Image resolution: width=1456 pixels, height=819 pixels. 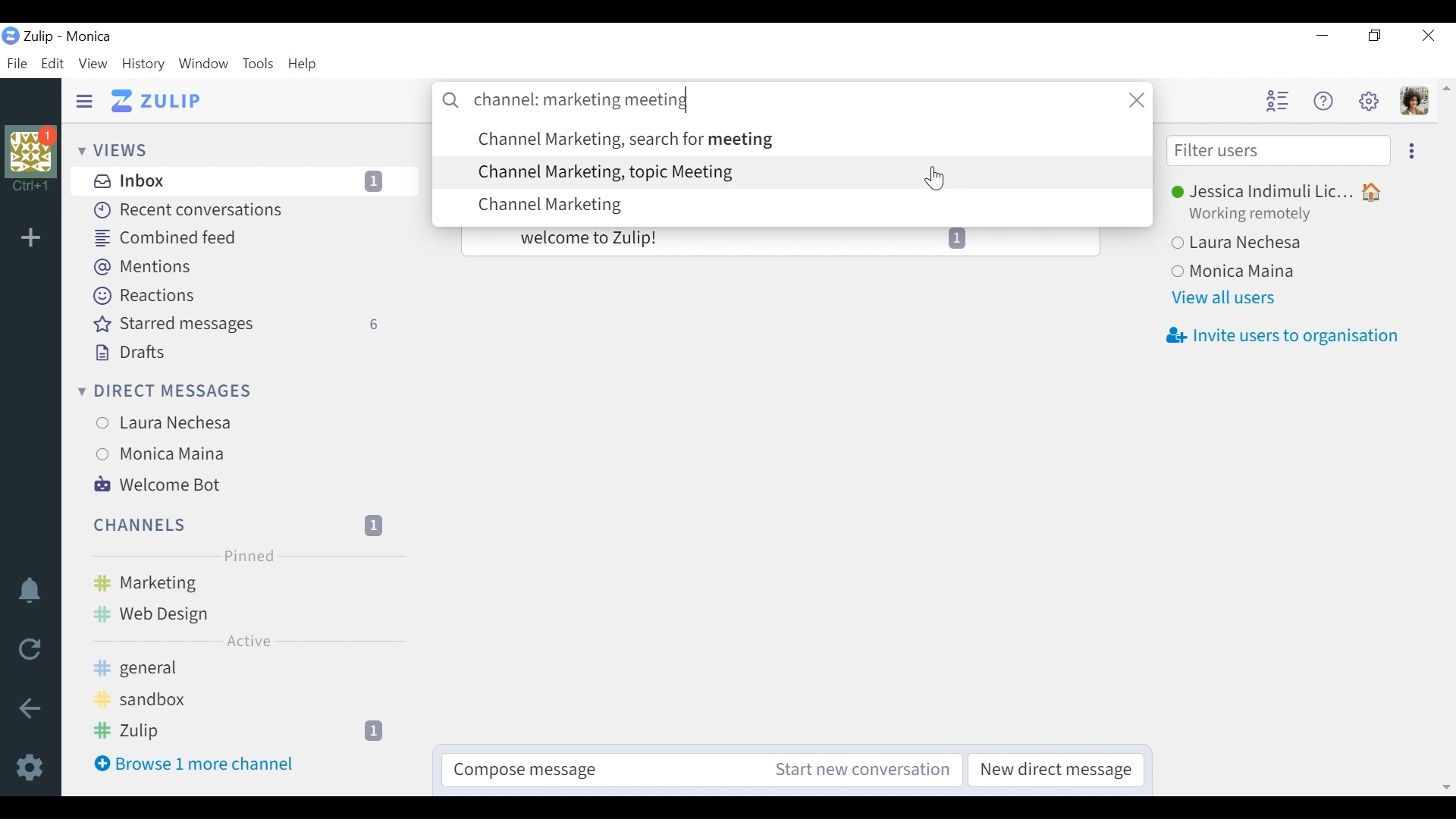 What do you see at coordinates (28, 651) in the screenshot?
I see `Reload` at bounding box center [28, 651].